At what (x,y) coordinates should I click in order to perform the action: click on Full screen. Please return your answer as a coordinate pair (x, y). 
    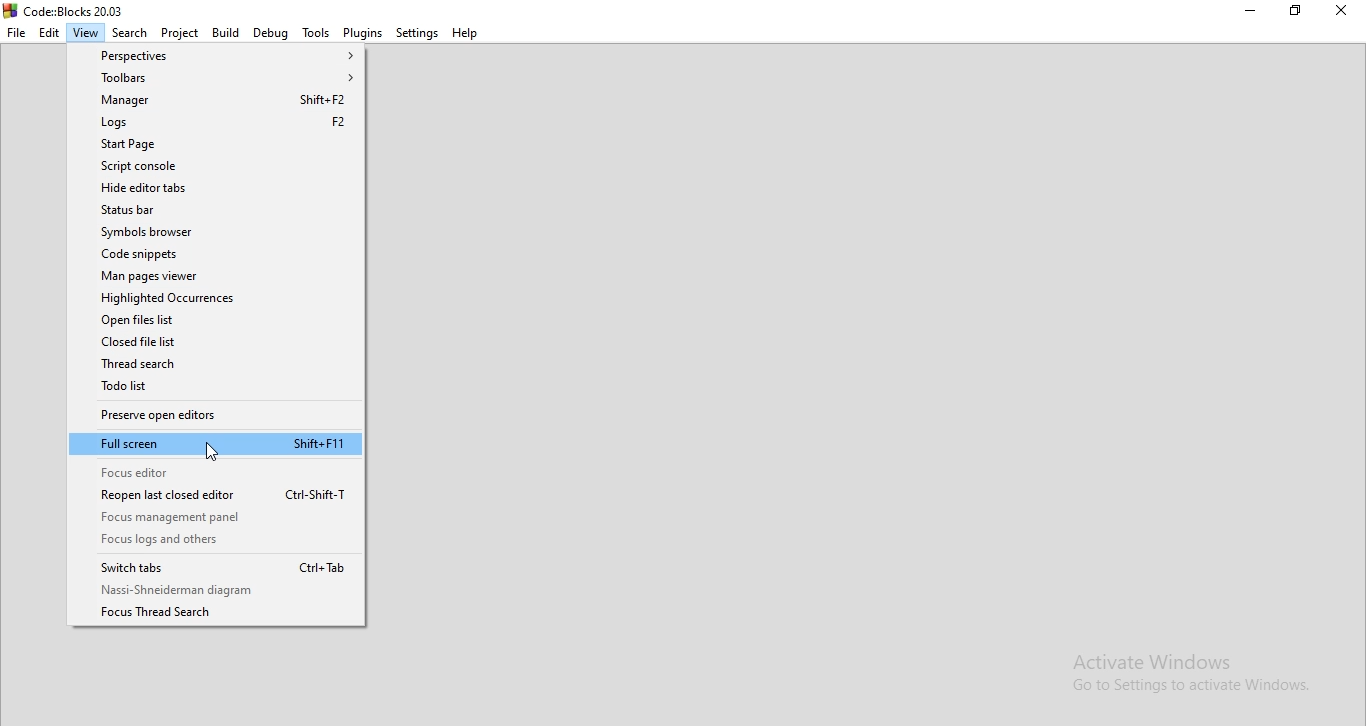
    Looking at the image, I should click on (215, 443).